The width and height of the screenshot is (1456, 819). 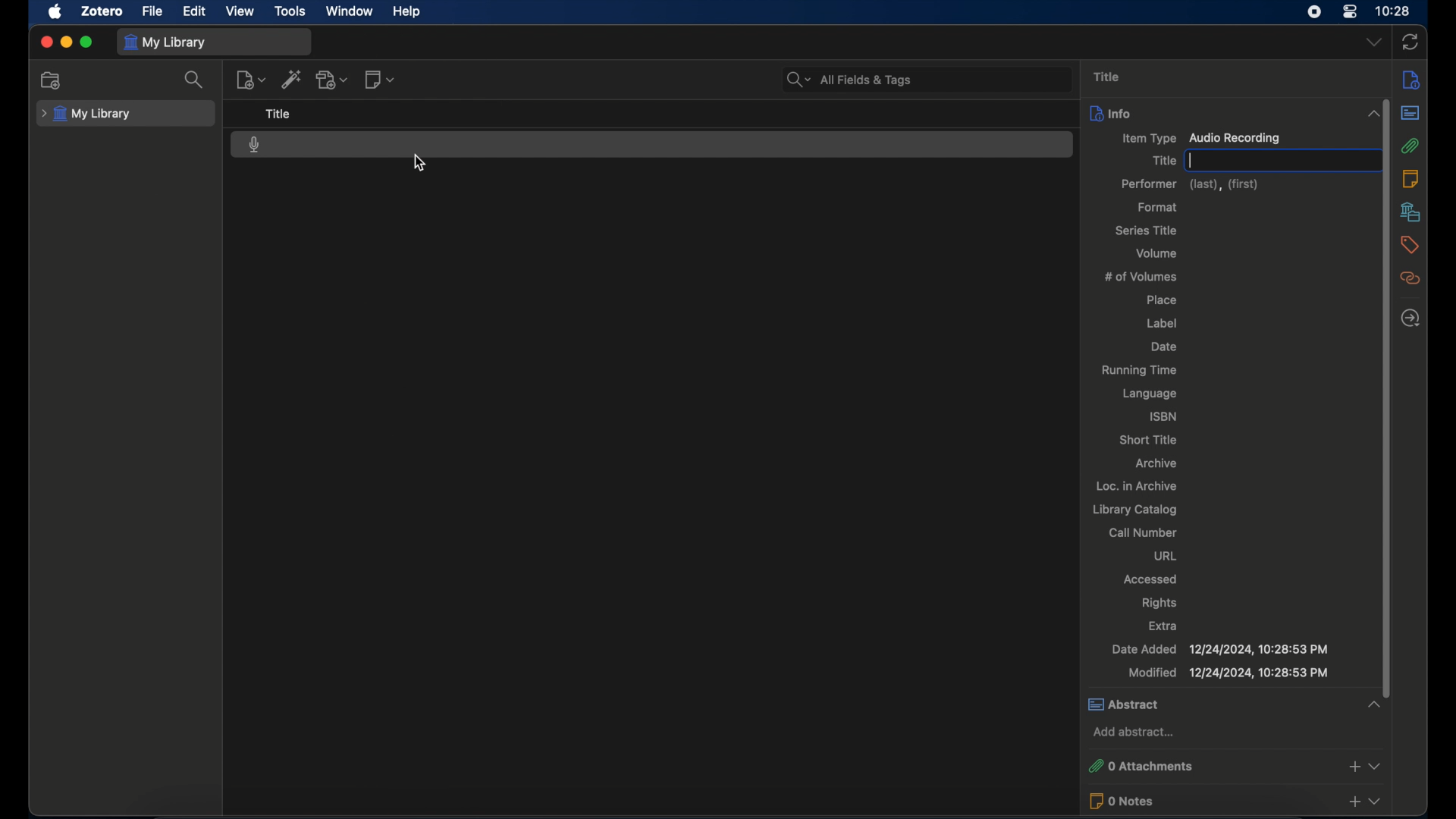 I want to click on help, so click(x=406, y=11).